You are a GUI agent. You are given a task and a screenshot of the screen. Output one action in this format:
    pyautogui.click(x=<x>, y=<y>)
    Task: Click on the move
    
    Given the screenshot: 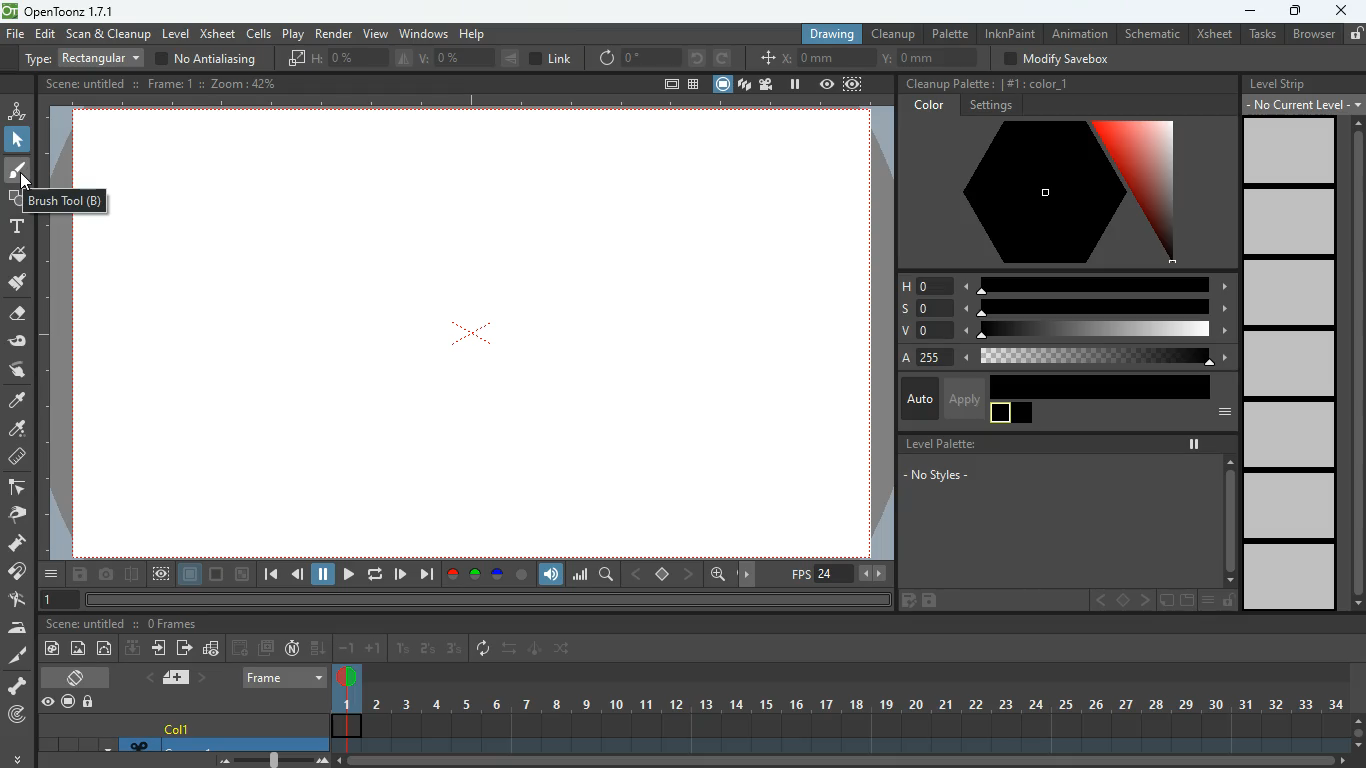 What is the action you would take?
    pyautogui.click(x=161, y=648)
    